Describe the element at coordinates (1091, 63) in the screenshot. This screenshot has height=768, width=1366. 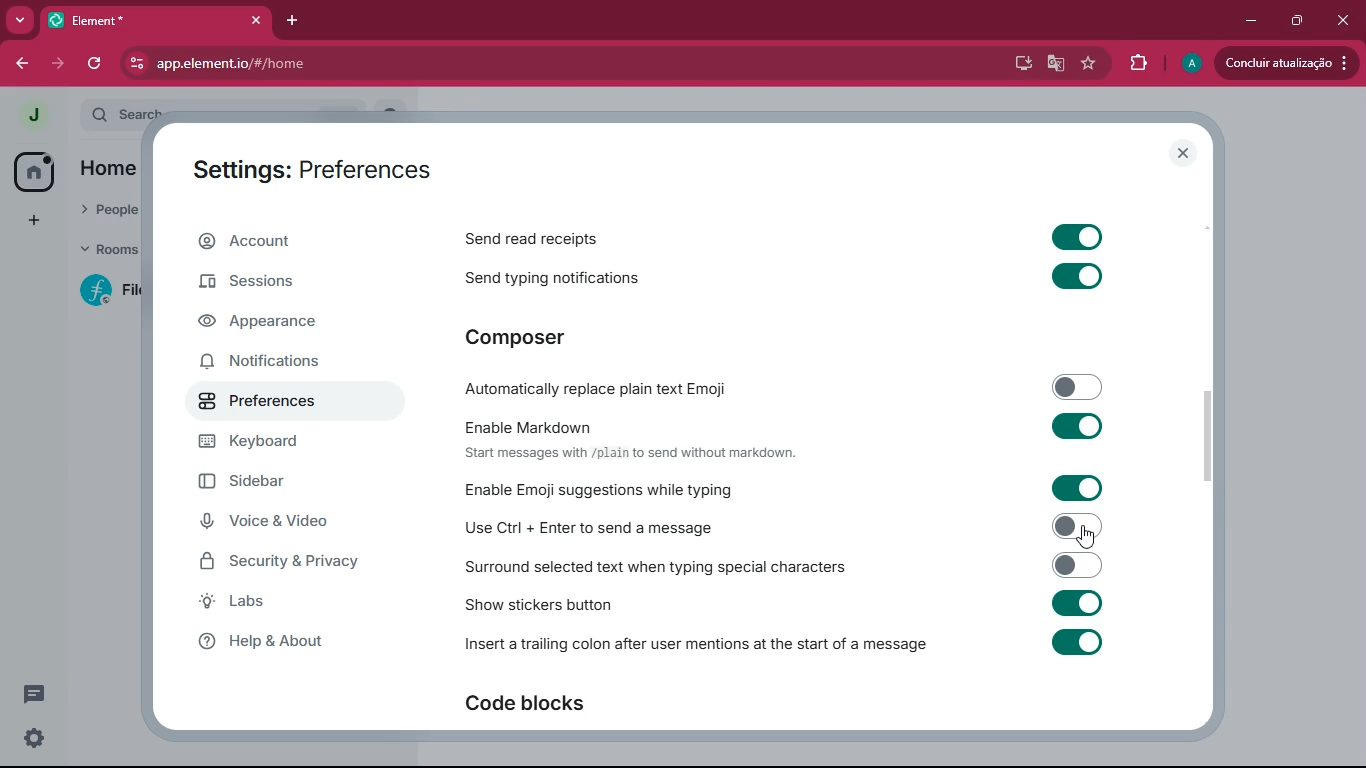
I see `favourite` at that location.